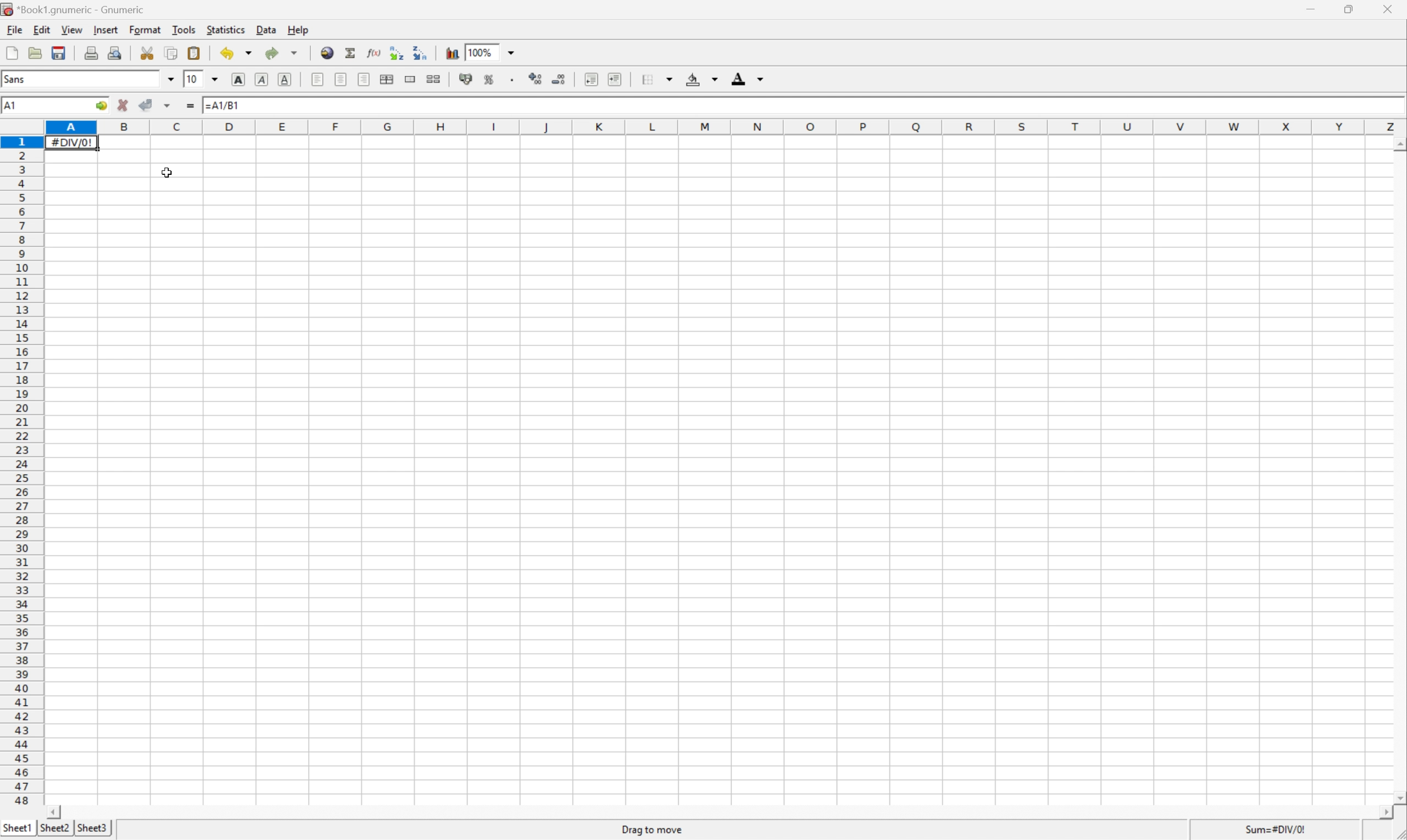  What do you see at coordinates (765, 79) in the screenshot?
I see `Drop down` at bounding box center [765, 79].